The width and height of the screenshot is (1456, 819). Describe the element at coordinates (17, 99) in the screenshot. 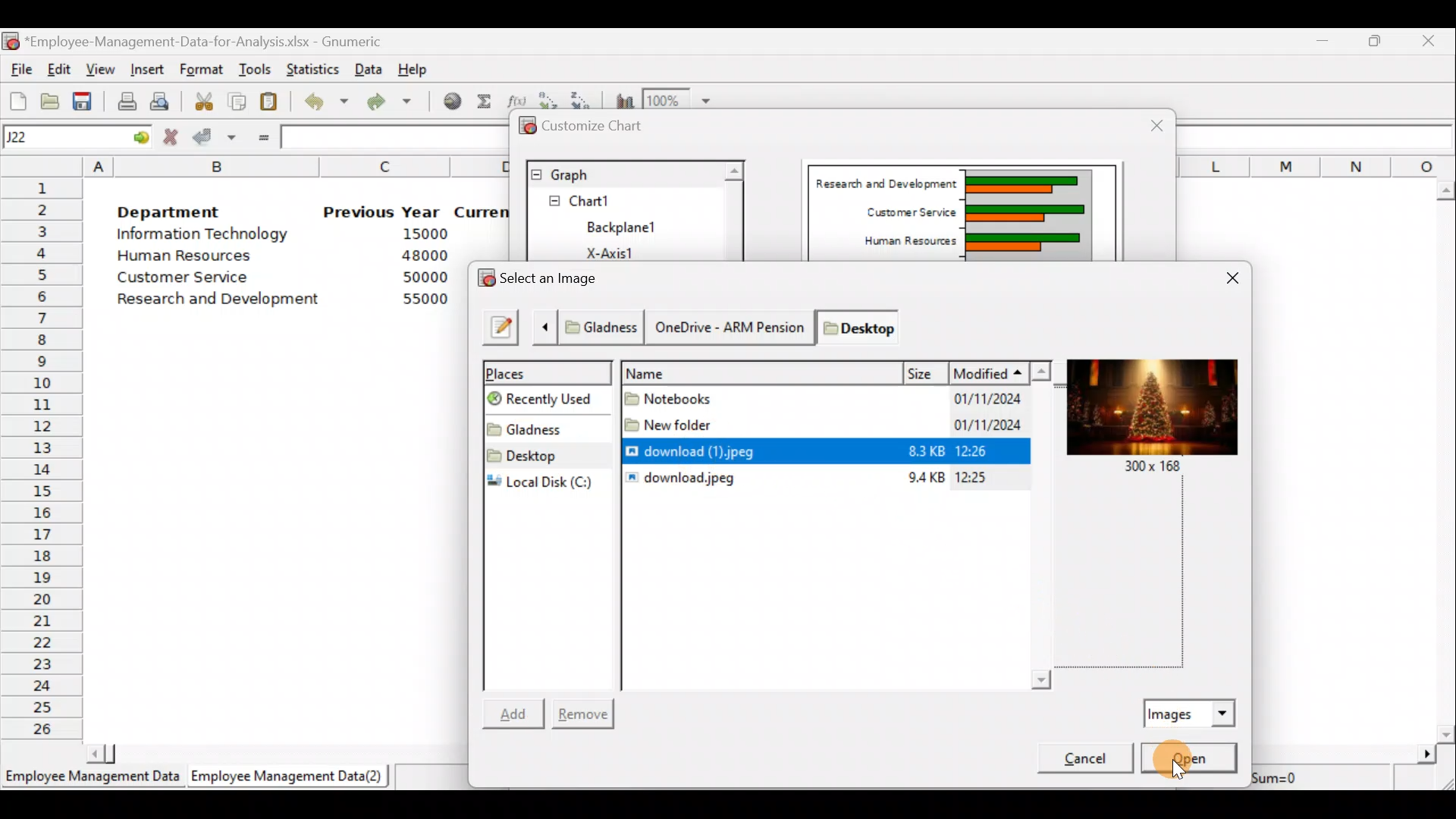

I see `Create a new workbook` at that location.